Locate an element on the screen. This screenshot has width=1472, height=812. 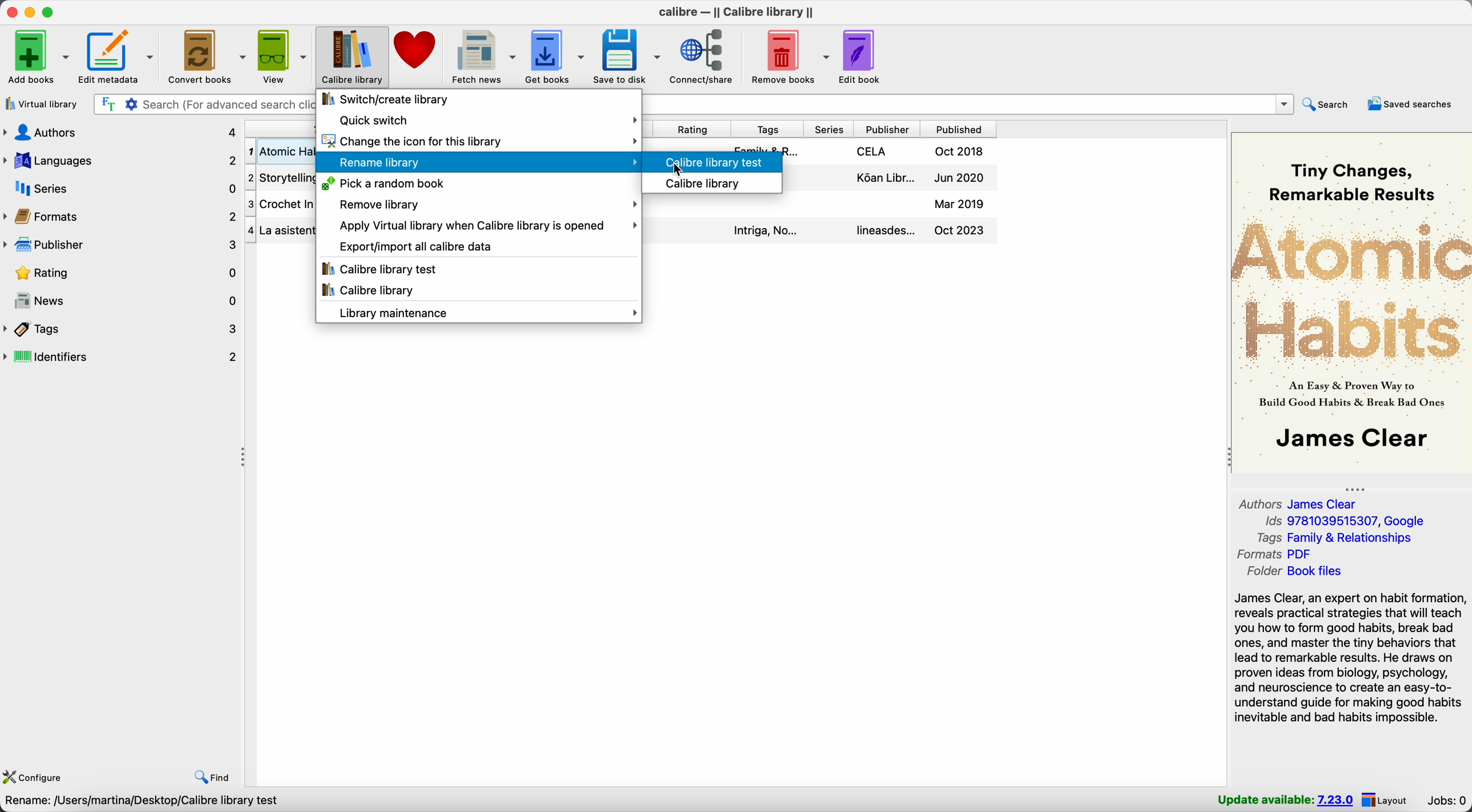
save to disk is located at coordinates (627, 56).